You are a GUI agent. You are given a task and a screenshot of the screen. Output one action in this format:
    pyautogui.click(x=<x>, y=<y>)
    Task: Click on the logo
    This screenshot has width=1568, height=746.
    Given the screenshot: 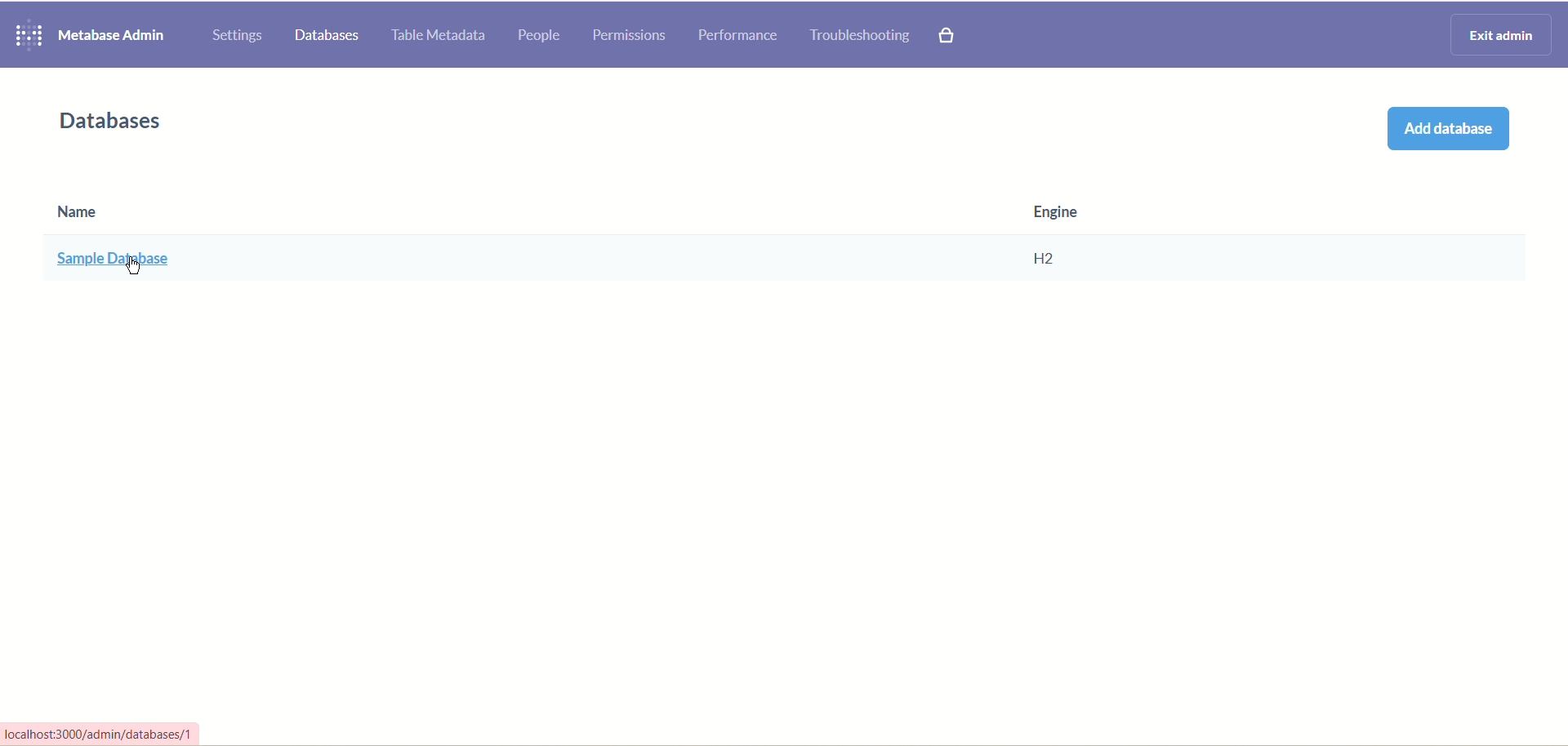 What is the action you would take?
    pyautogui.click(x=25, y=36)
    